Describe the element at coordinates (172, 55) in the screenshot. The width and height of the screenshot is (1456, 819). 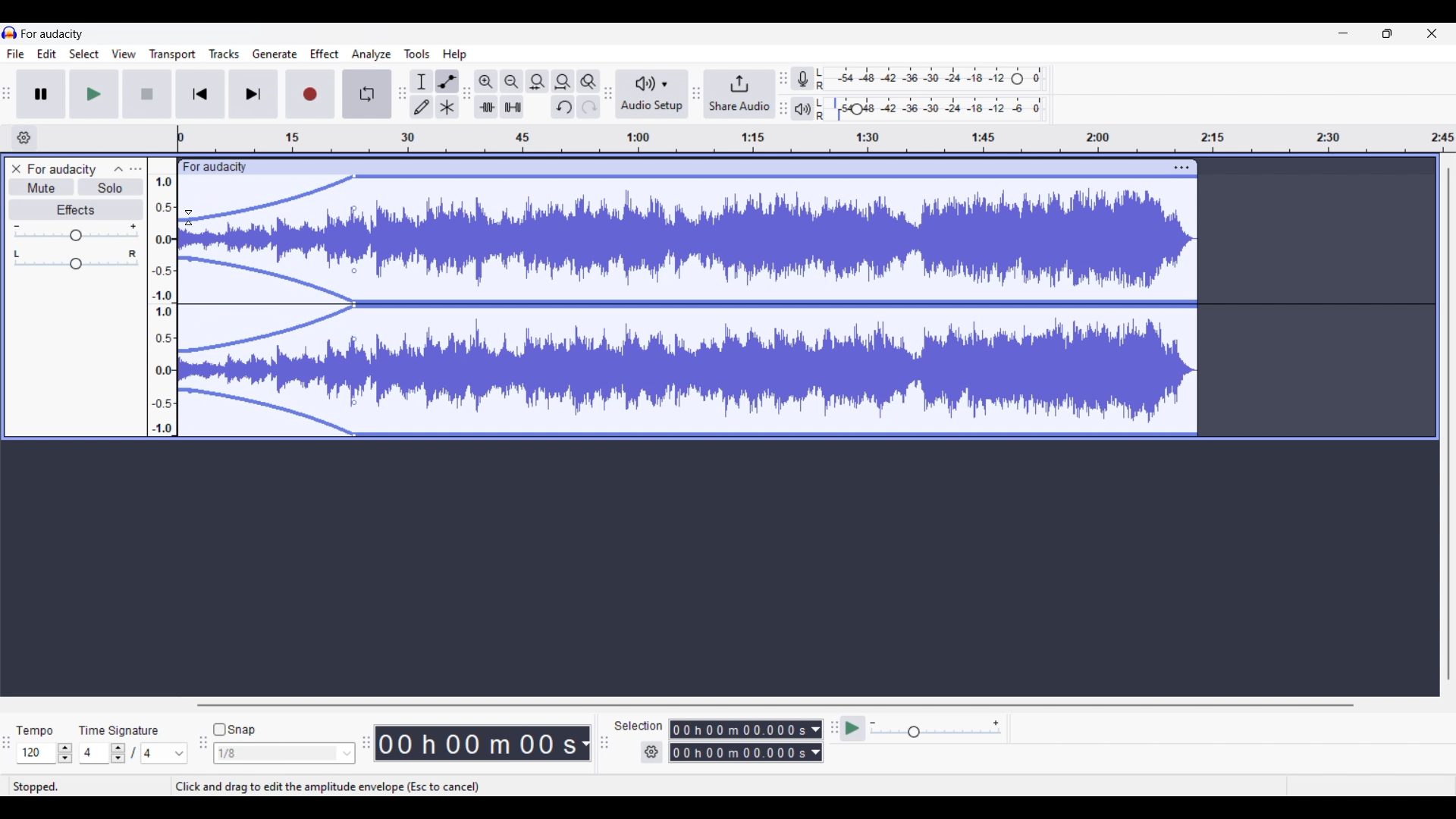
I see `Transport` at that location.